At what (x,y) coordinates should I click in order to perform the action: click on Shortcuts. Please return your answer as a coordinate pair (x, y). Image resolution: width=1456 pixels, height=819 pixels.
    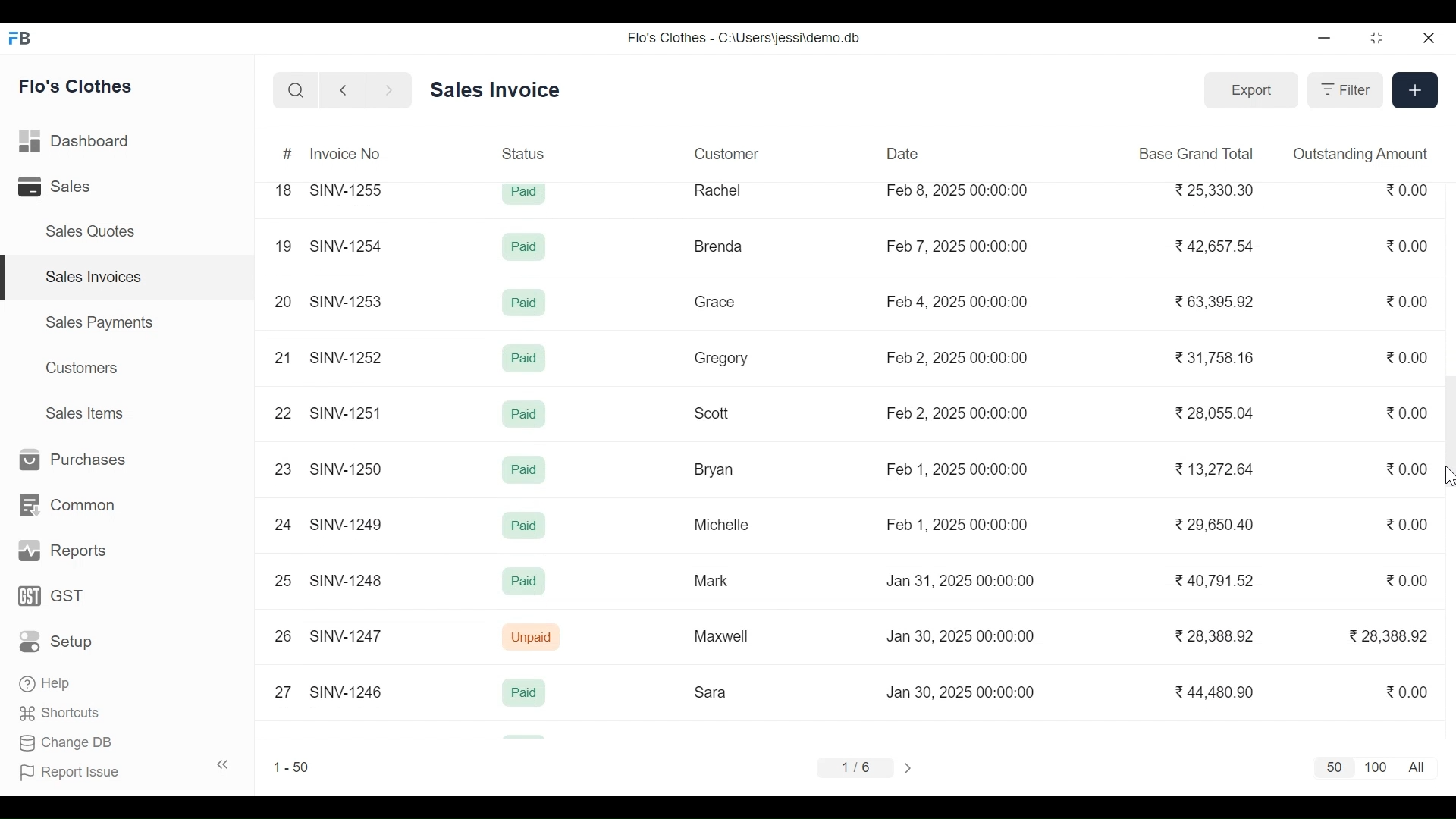
    Looking at the image, I should click on (61, 716).